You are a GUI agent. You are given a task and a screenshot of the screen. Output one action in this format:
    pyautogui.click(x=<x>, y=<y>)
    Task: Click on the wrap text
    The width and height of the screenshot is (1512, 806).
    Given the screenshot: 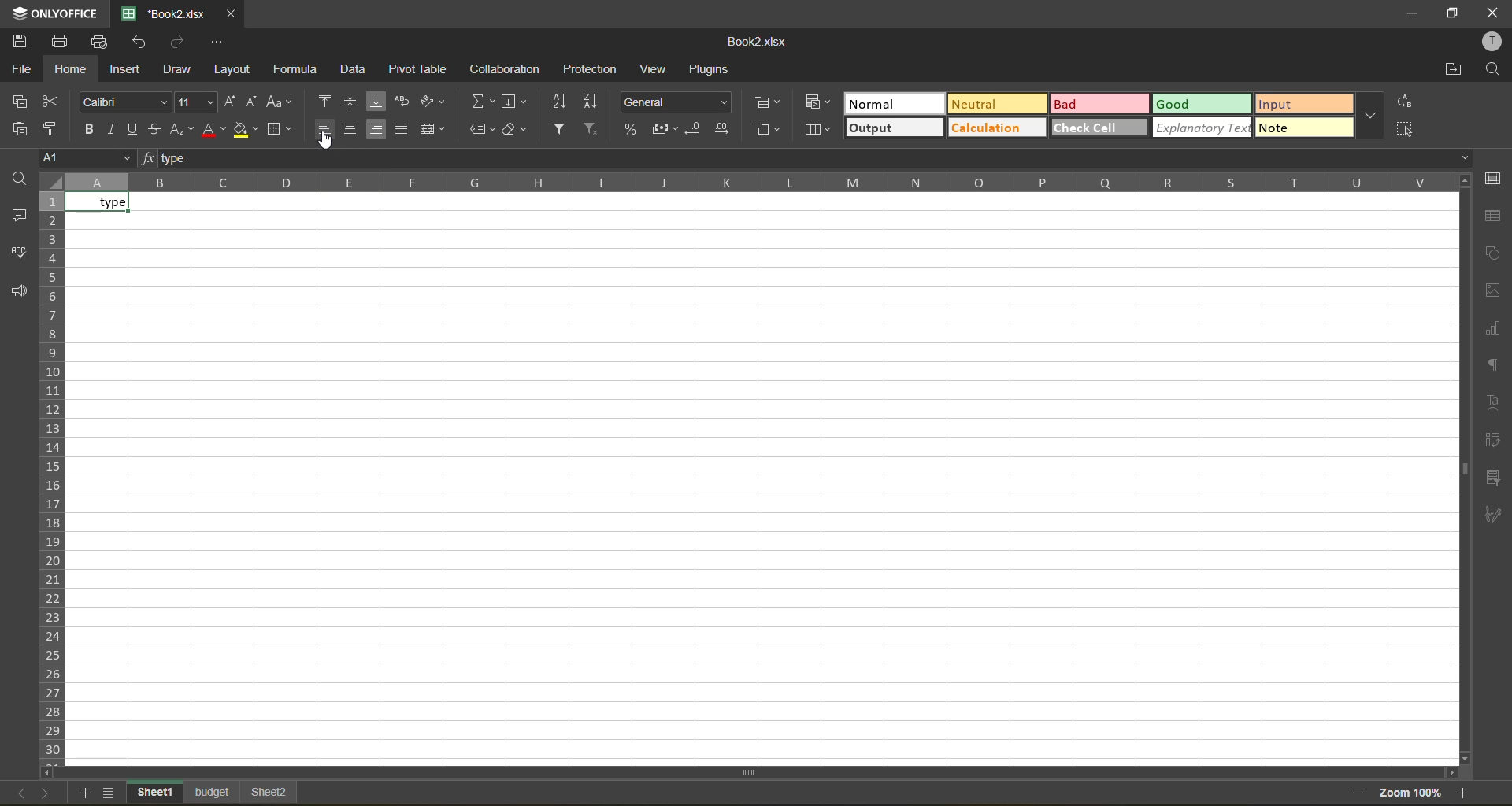 What is the action you would take?
    pyautogui.click(x=402, y=102)
    